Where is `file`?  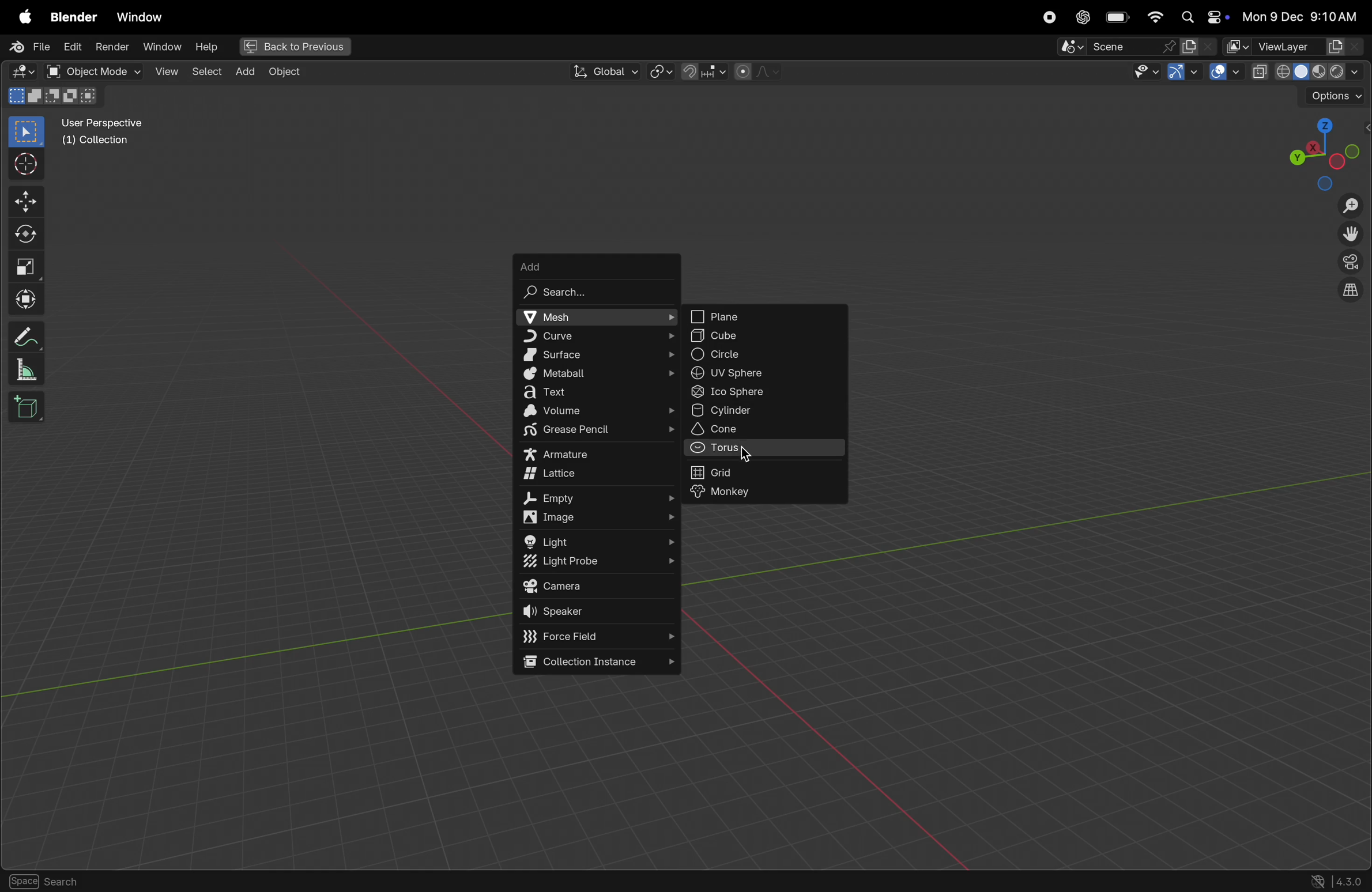 file is located at coordinates (27, 47).